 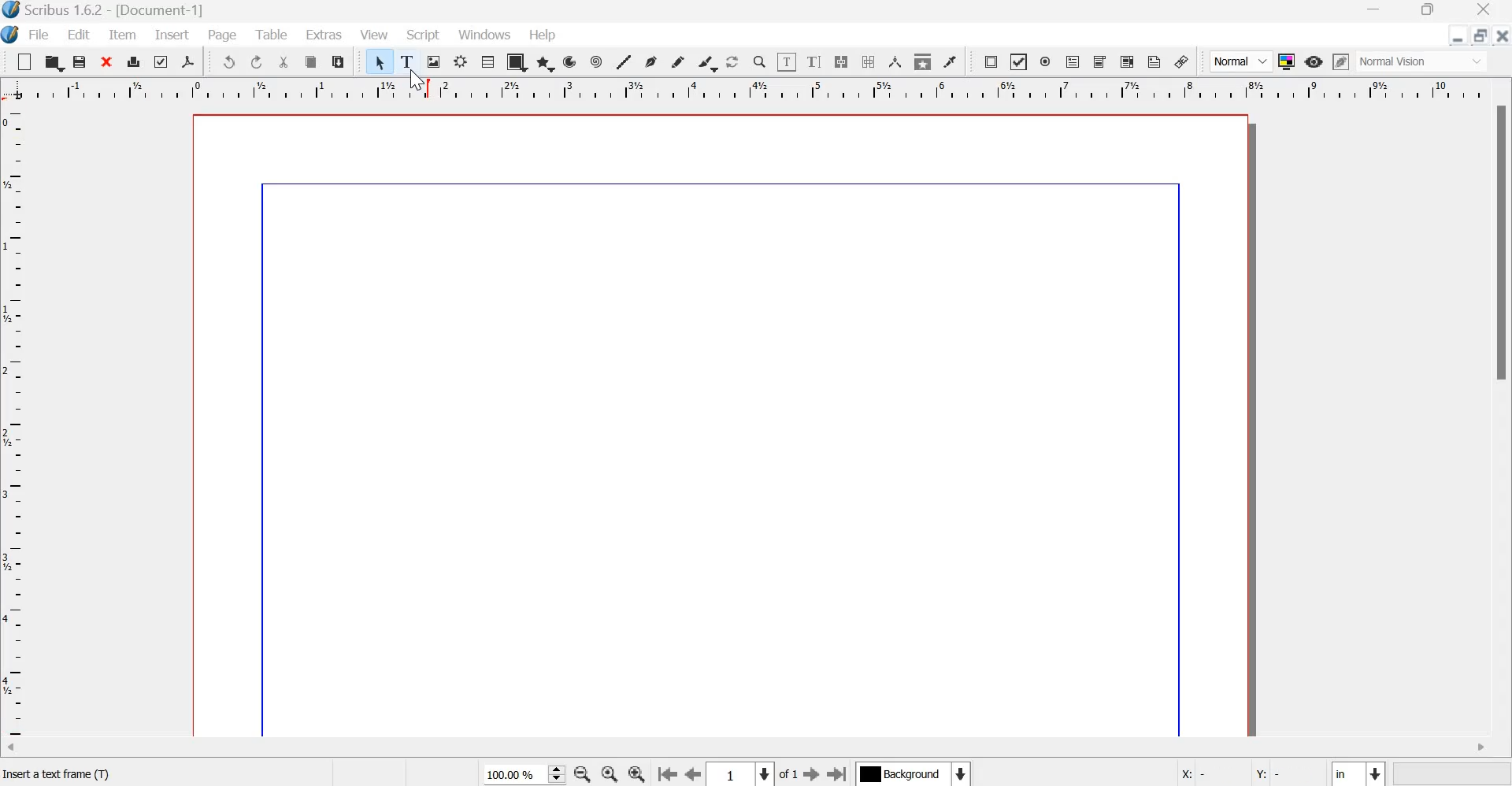 What do you see at coordinates (1480, 748) in the screenshot?
I see `Scroll right` at bounding box center [1480, 748].